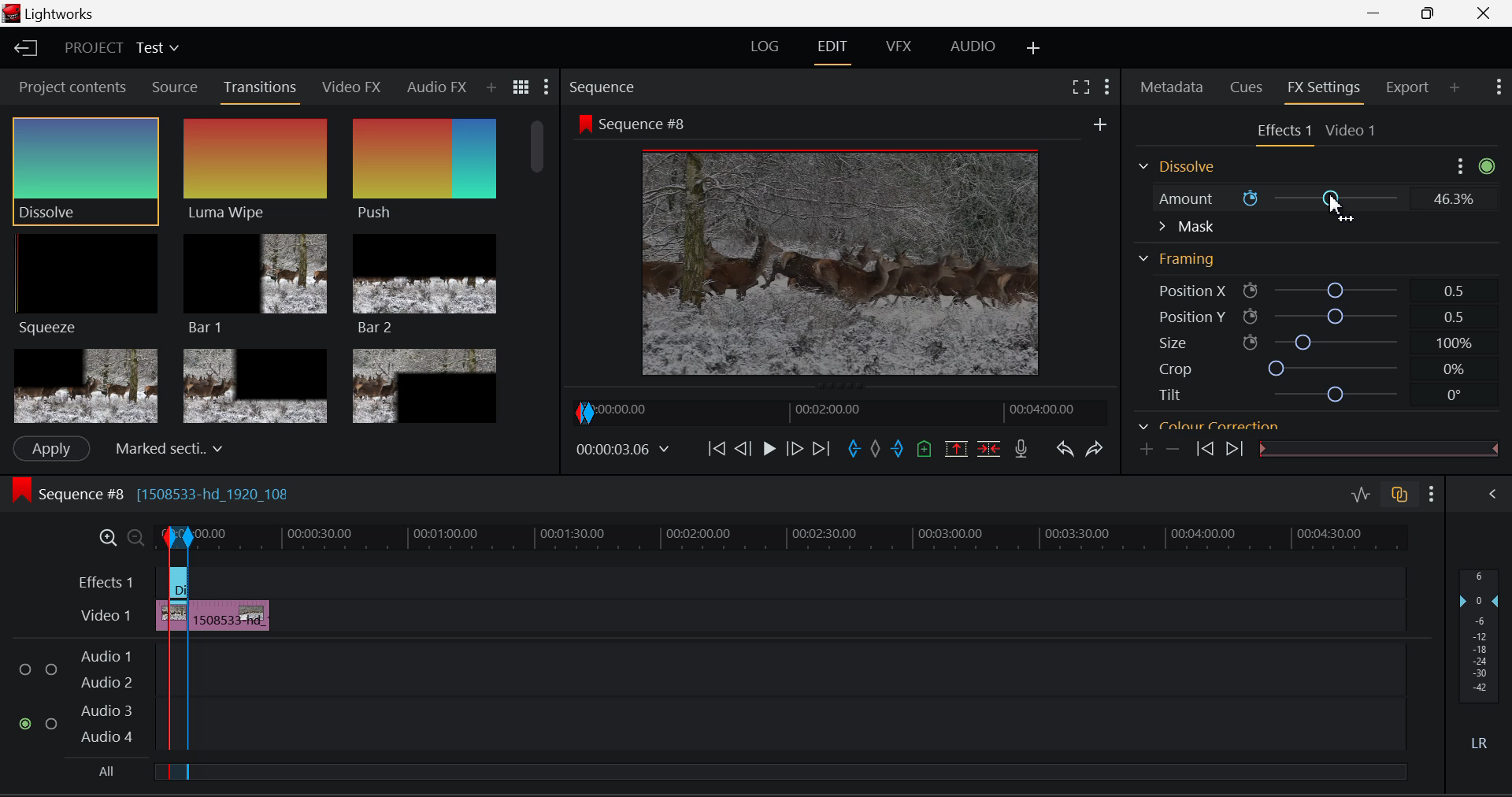 The width and height of the screenshot is (1512, 797). I want to click on Previous keyframe, so click(1204, 451).